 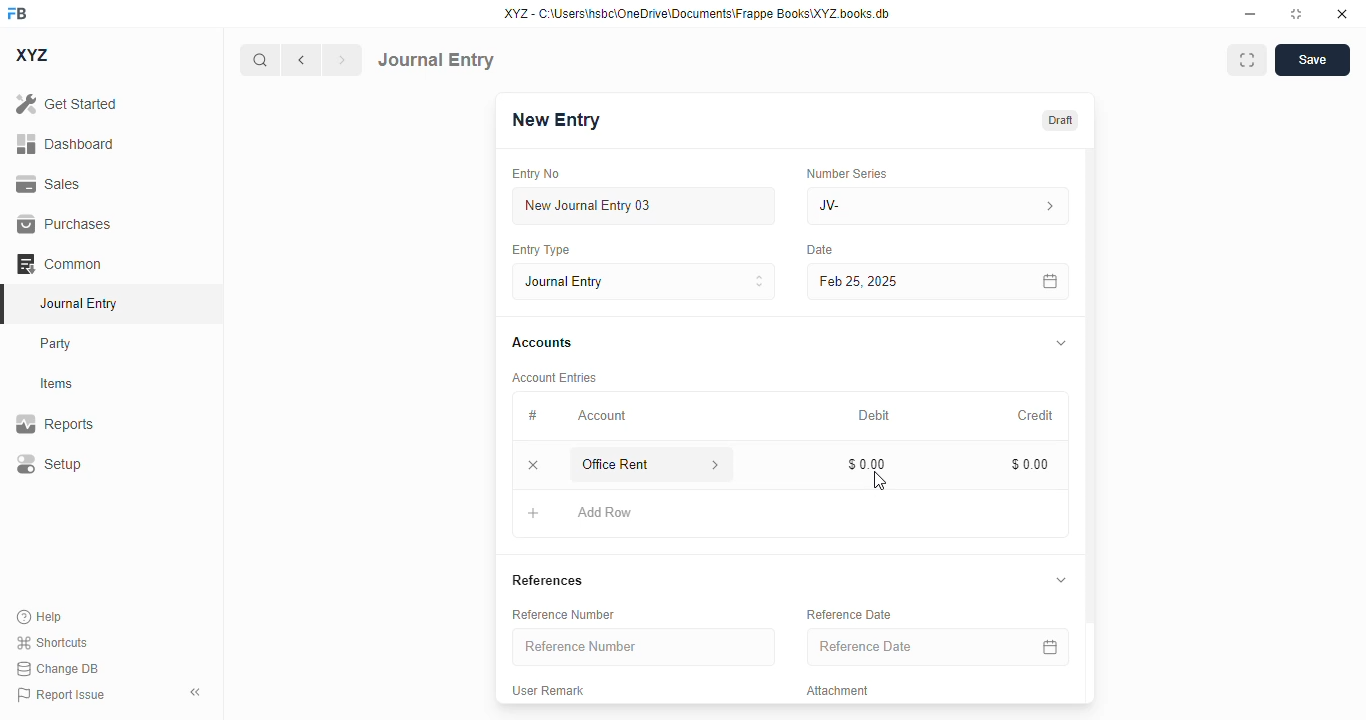 What do you see at coordinates (897, 646) in the screenshot?
I see `reference date` at bounding box center [897, 646].